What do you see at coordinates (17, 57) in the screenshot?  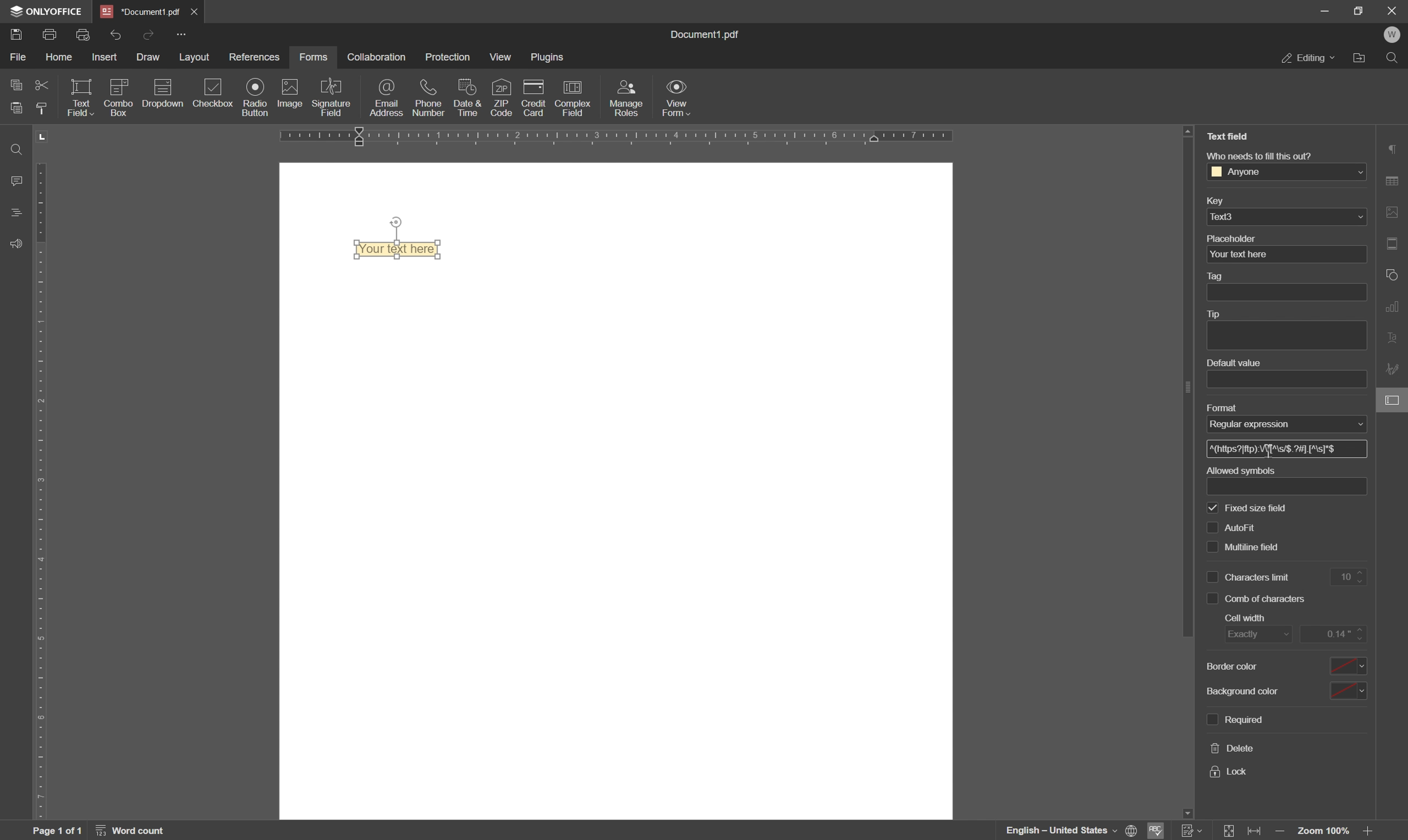 I see `file` at bounding box center [17, 57].